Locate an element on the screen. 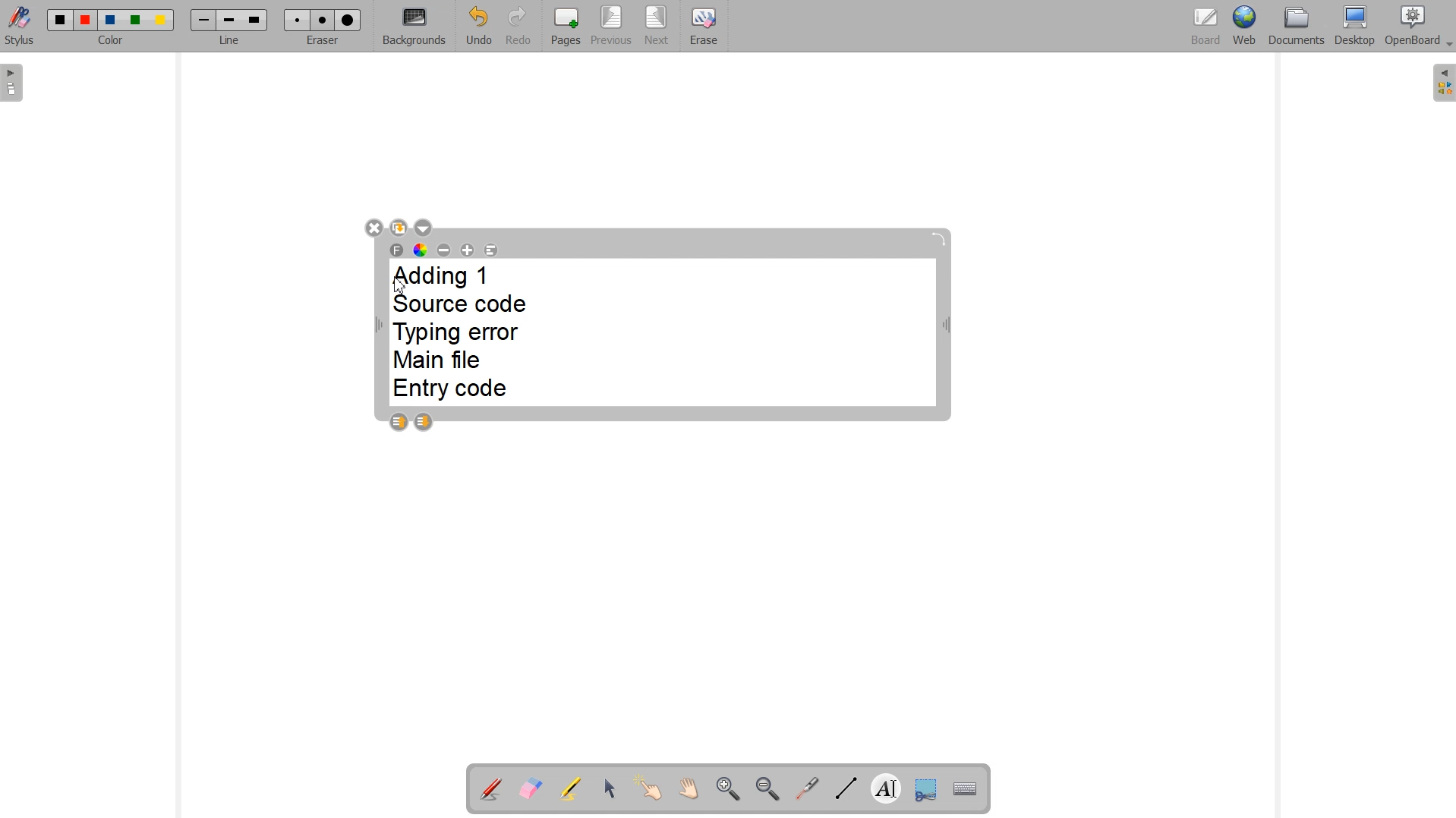 This screenshot has width=1456, height=818. Color 3 is located at coordinates (110, 20).